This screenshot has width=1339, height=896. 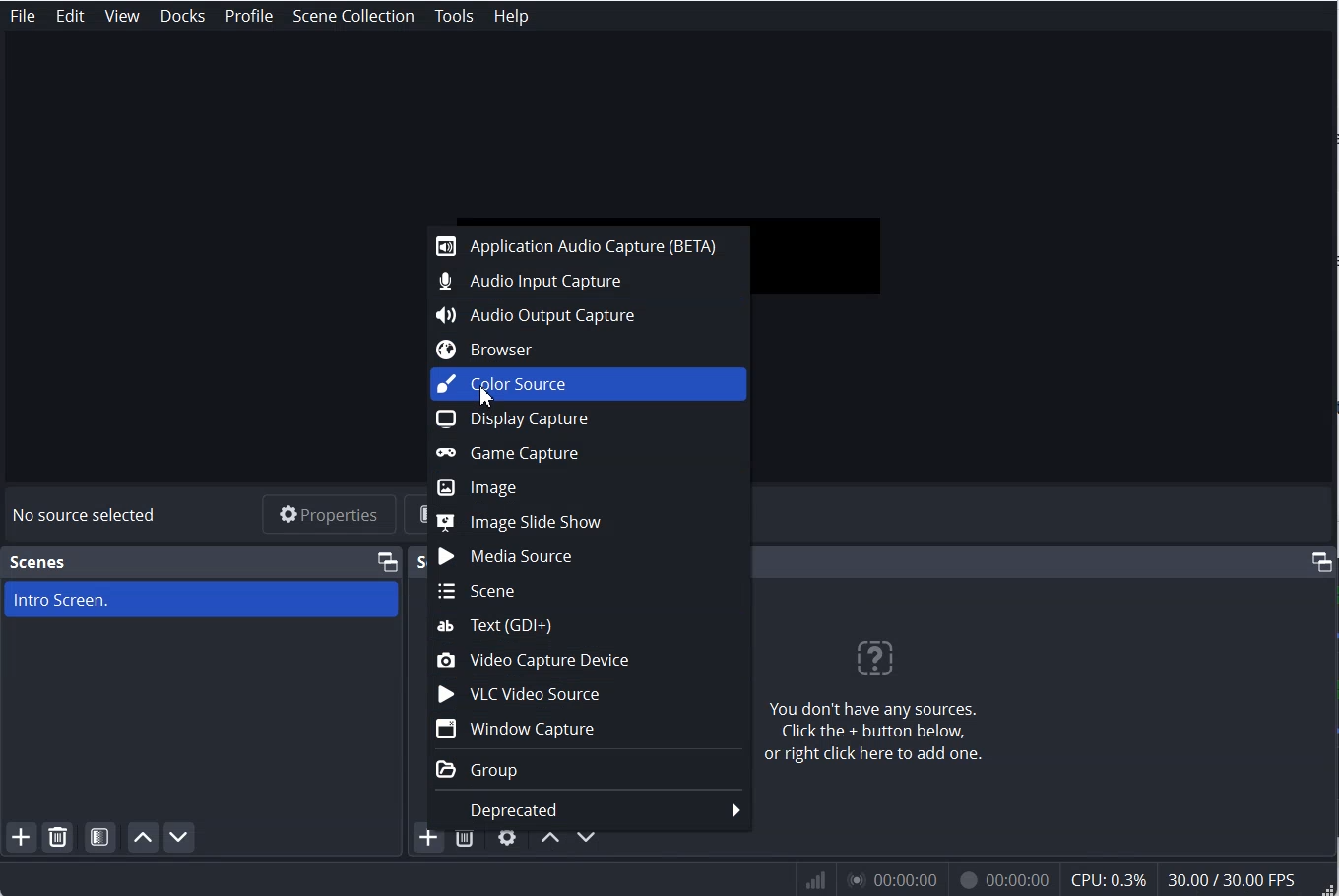 I want to click on Group, so click(x=587, y=770).